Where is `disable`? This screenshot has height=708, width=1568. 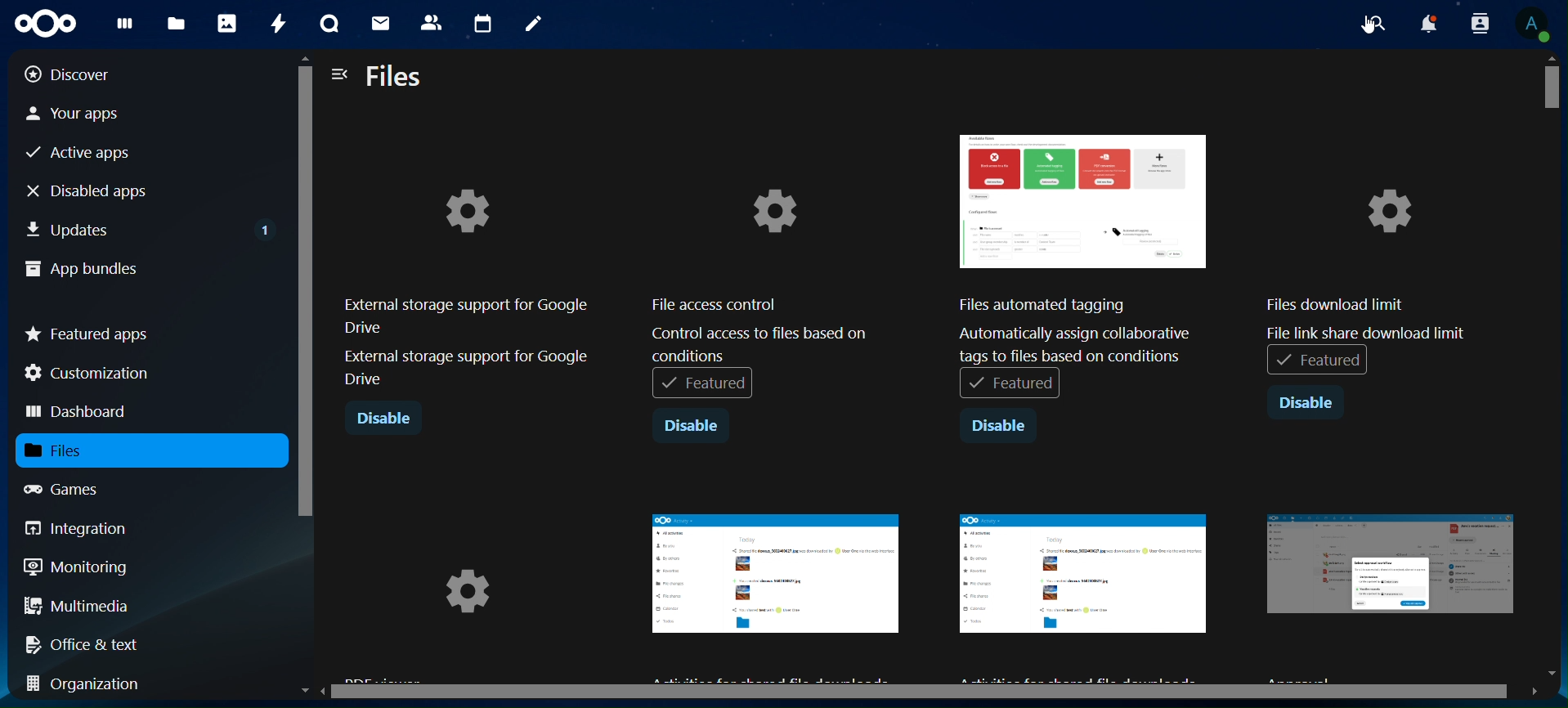
disable is located at coordinates (1310, 402).